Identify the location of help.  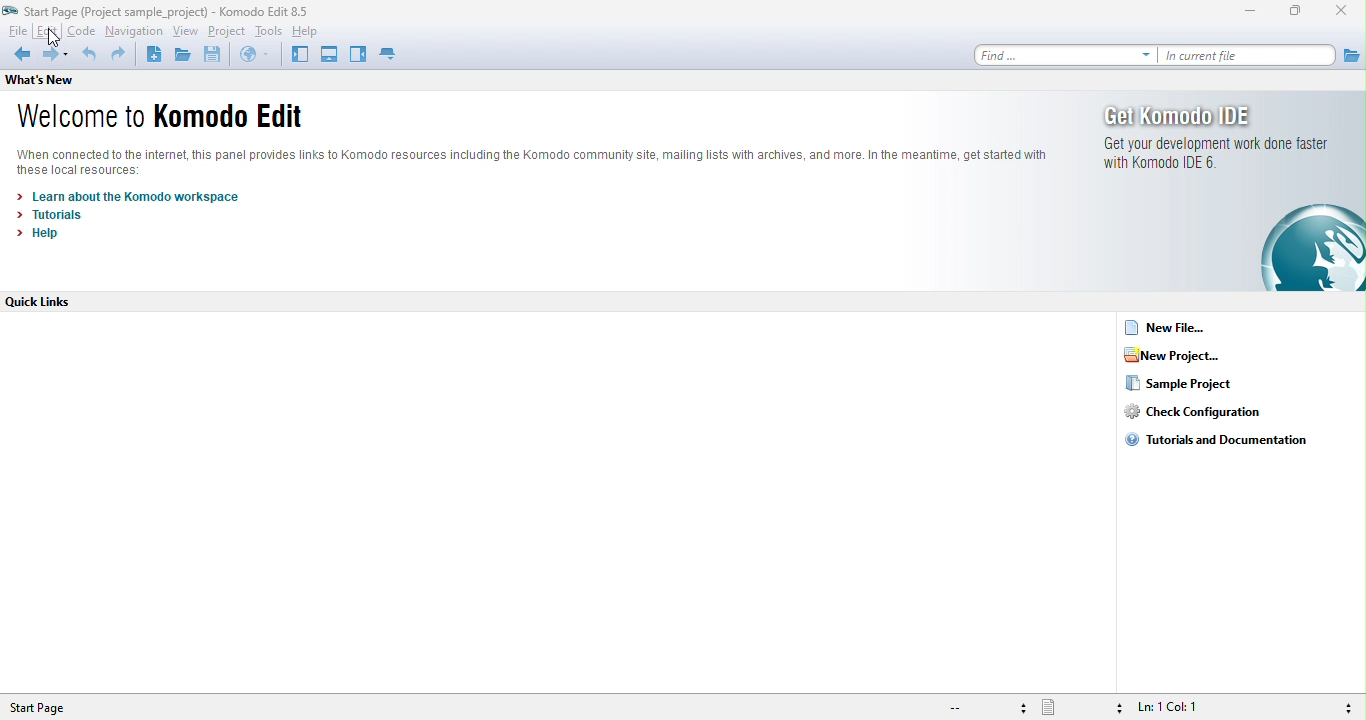
(41, 236).